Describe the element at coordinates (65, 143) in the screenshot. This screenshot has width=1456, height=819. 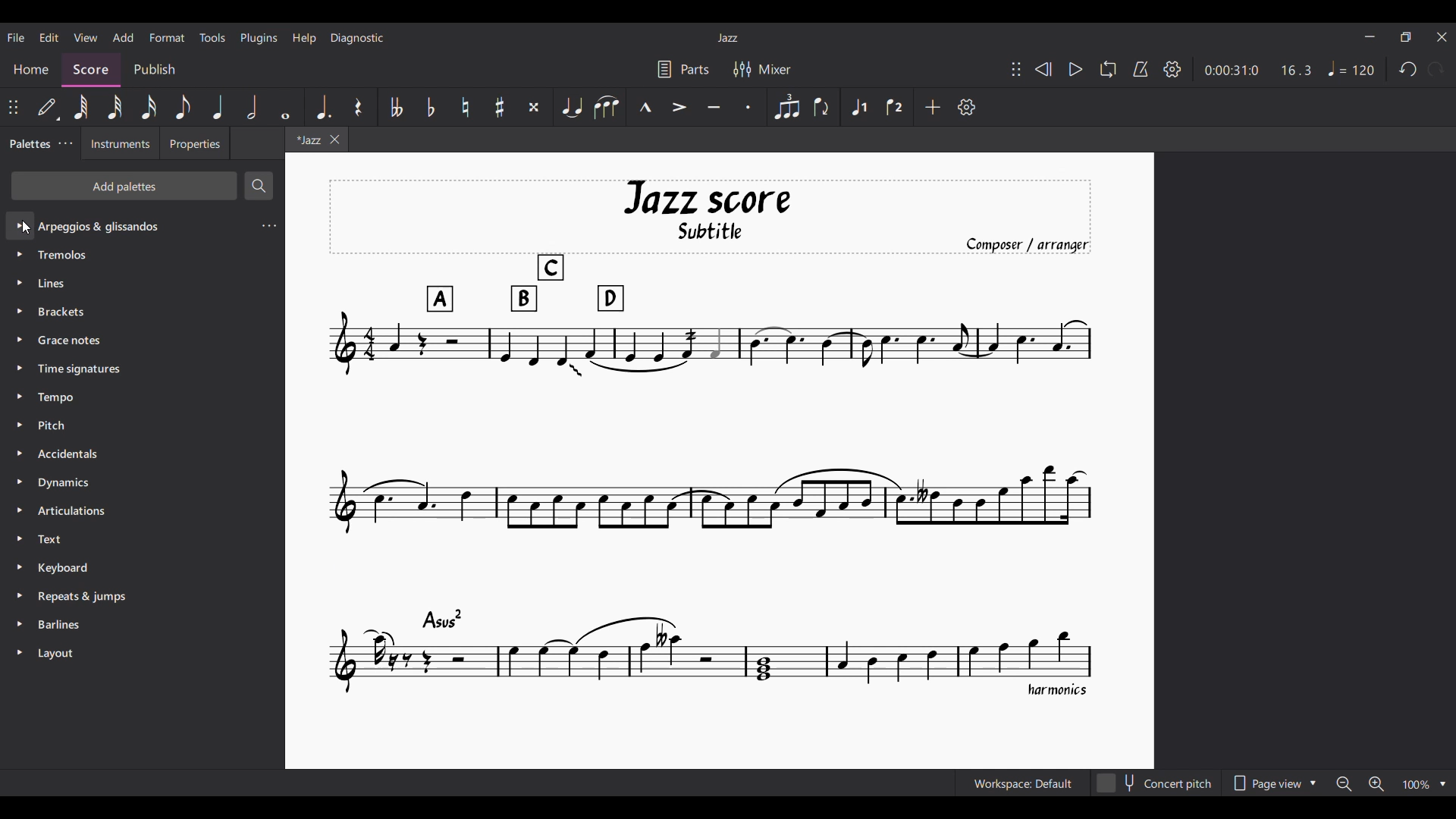
I see `Palette settings` at that location.